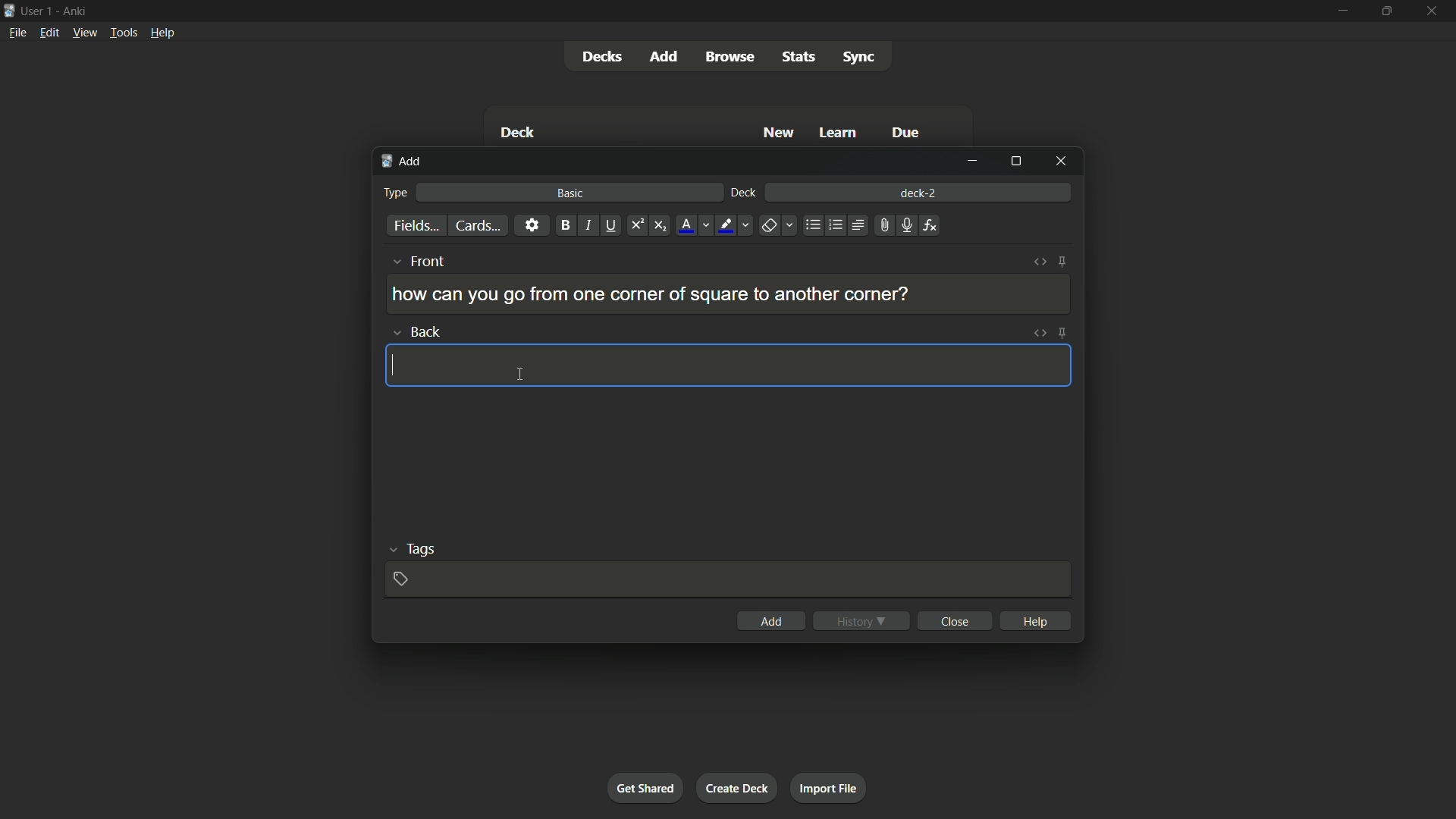 This screenshot has height=819, width=1456. What do you see at coordinates (1345, 10) in the screenshot?
I see `minimize` at bounding box center [1345, 10].